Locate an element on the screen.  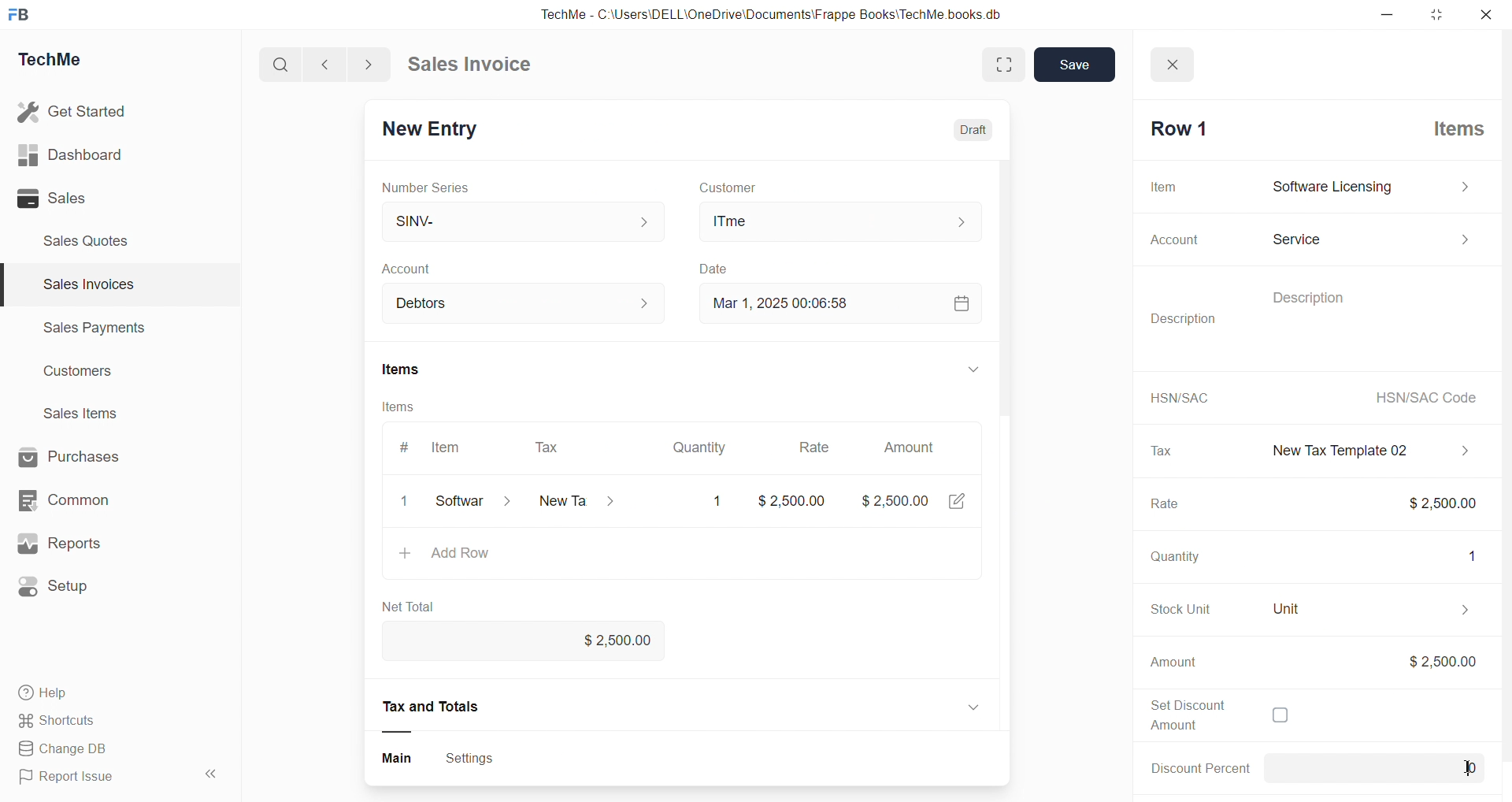
Create is located at coordinates (715, 265).